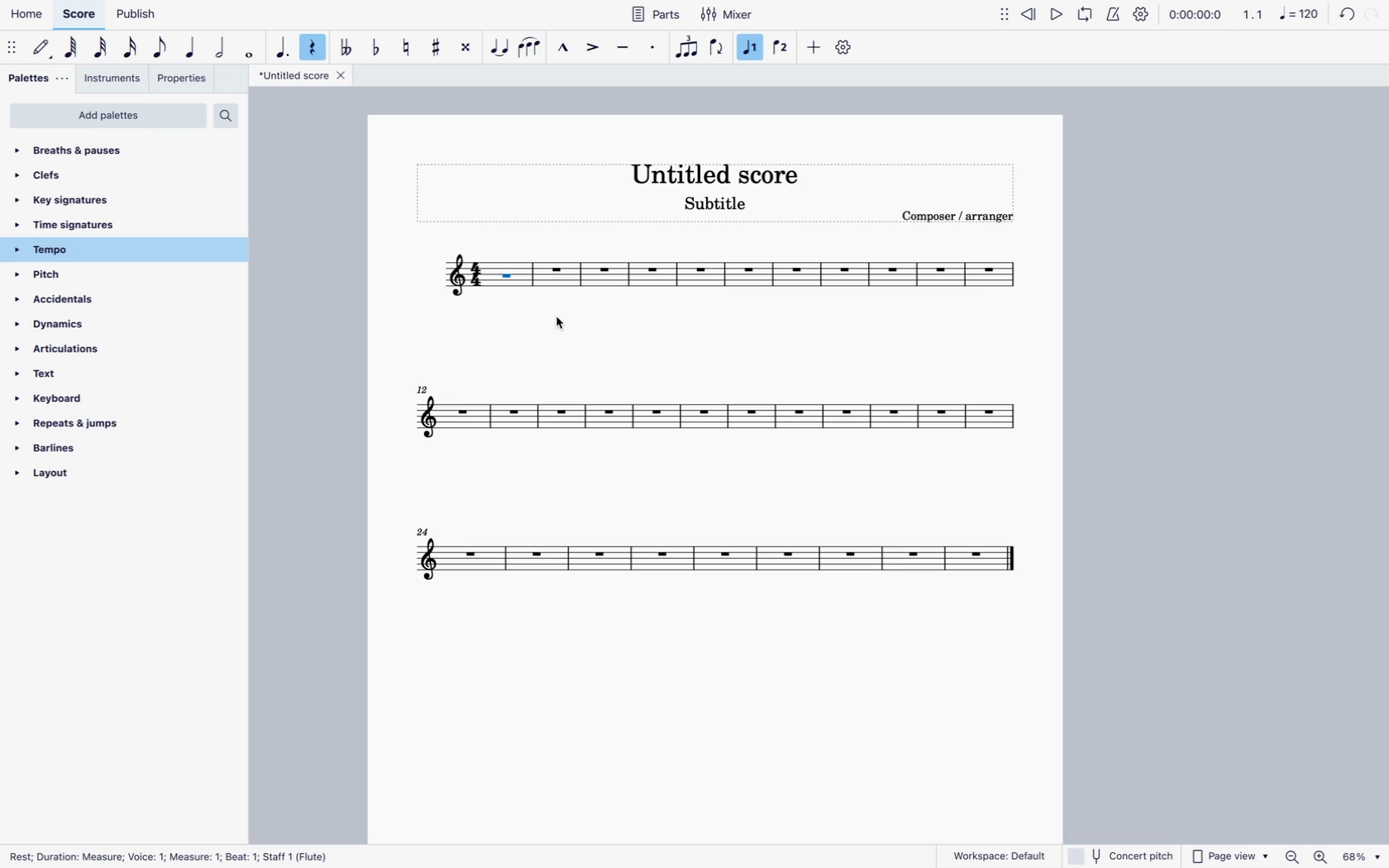  Describe the element at coordinates (1281, 14) in the screenshot. I see `scale` at that location.